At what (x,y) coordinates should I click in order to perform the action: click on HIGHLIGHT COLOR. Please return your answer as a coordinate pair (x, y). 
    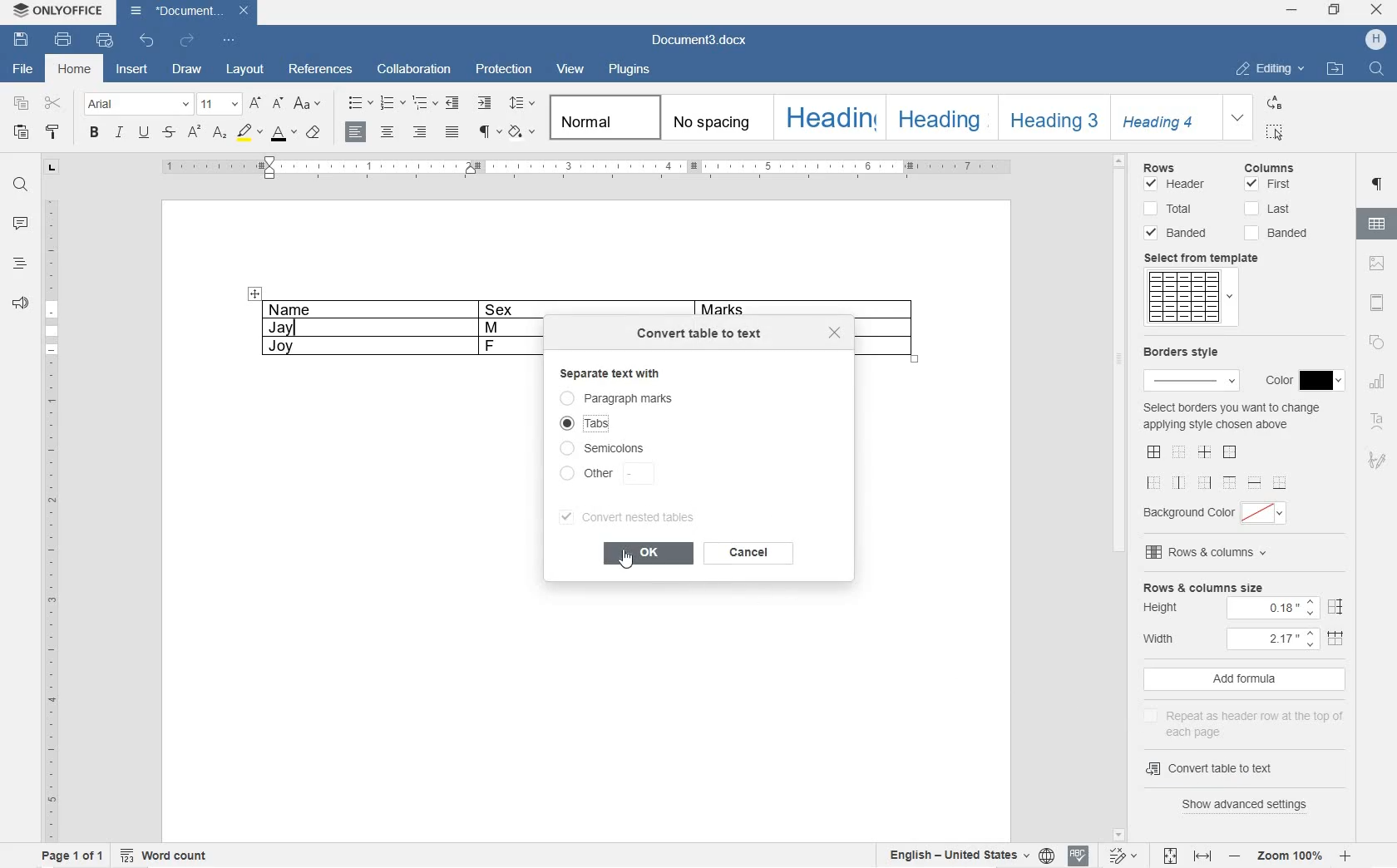
    Looking at the image, I should click on (250, 134).